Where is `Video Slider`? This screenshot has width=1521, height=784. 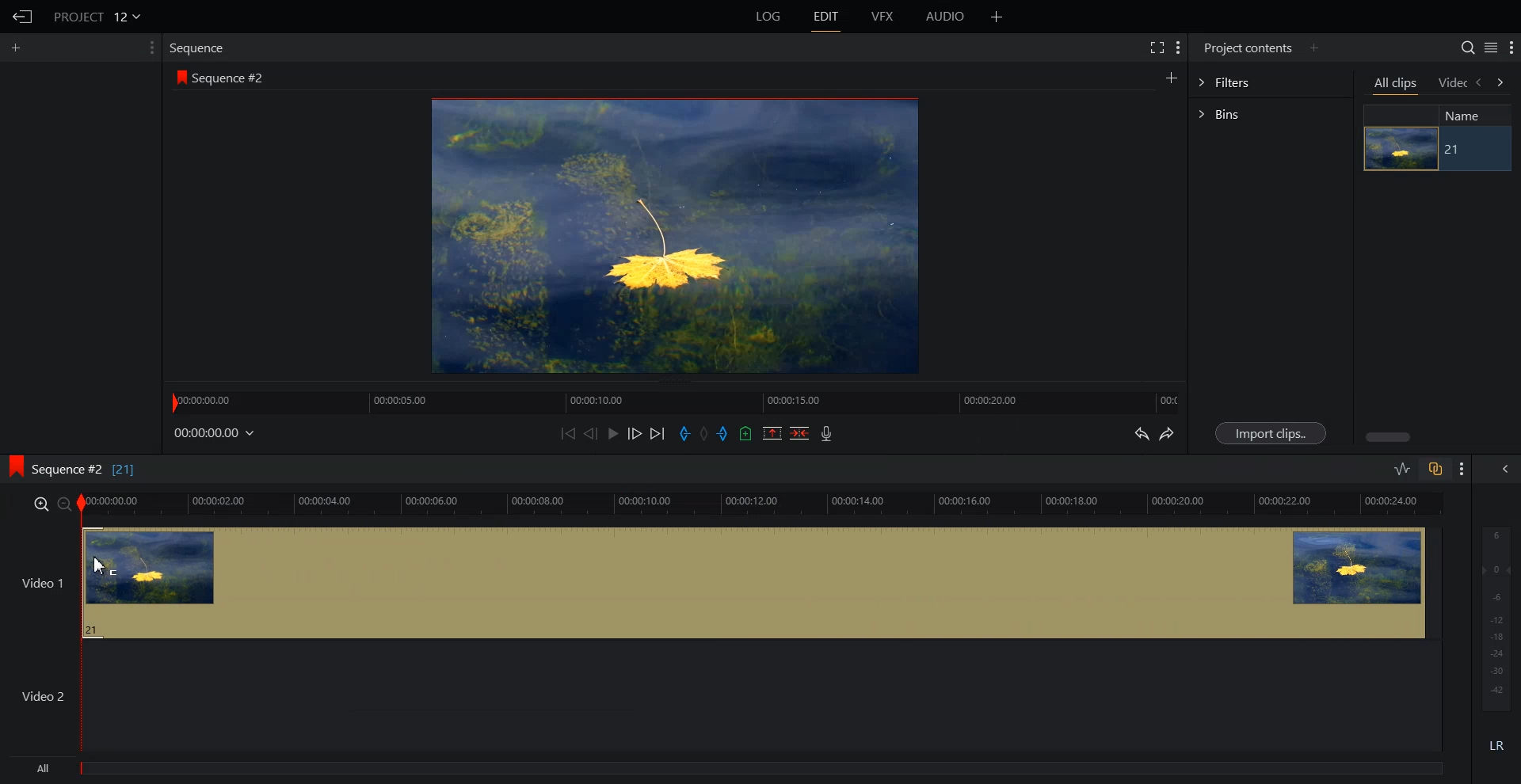
Video Slider is located at coordinates (770, 504).